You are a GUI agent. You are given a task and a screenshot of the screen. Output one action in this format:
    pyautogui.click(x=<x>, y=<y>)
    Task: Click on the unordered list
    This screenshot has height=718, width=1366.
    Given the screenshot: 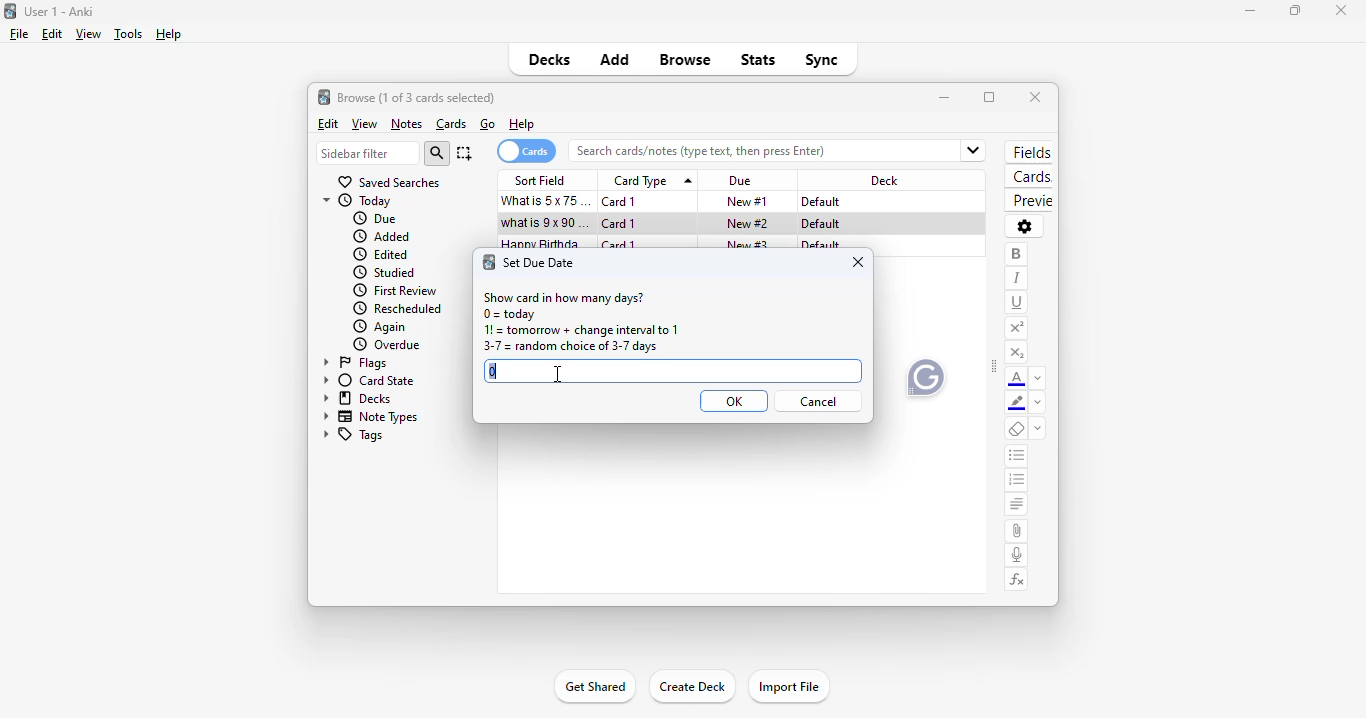 What is the action you would take?
    pyautogui.click(x=1018, y=455)
    